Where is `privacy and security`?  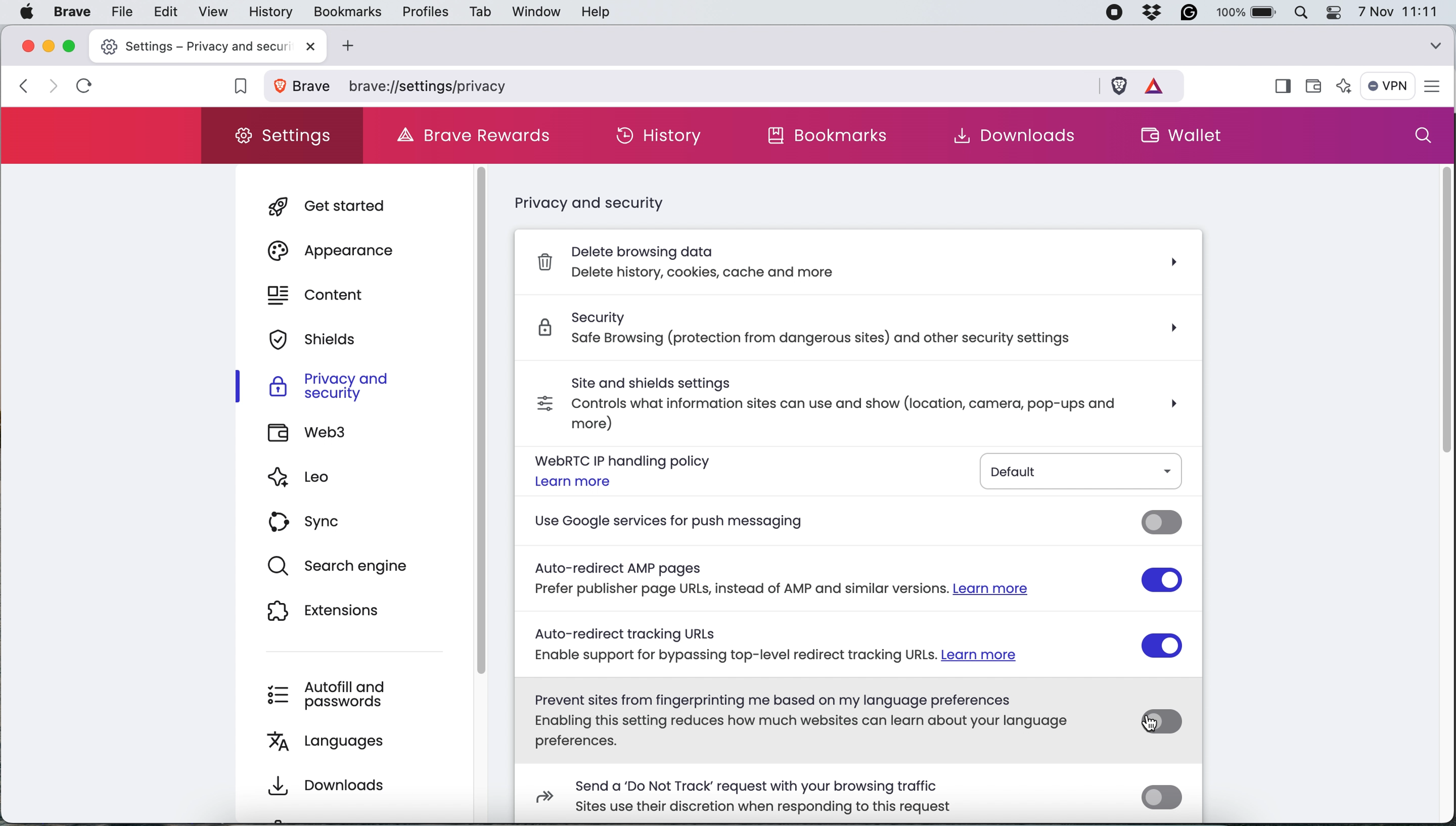
privacy and security is located at coordinates (601, 202).